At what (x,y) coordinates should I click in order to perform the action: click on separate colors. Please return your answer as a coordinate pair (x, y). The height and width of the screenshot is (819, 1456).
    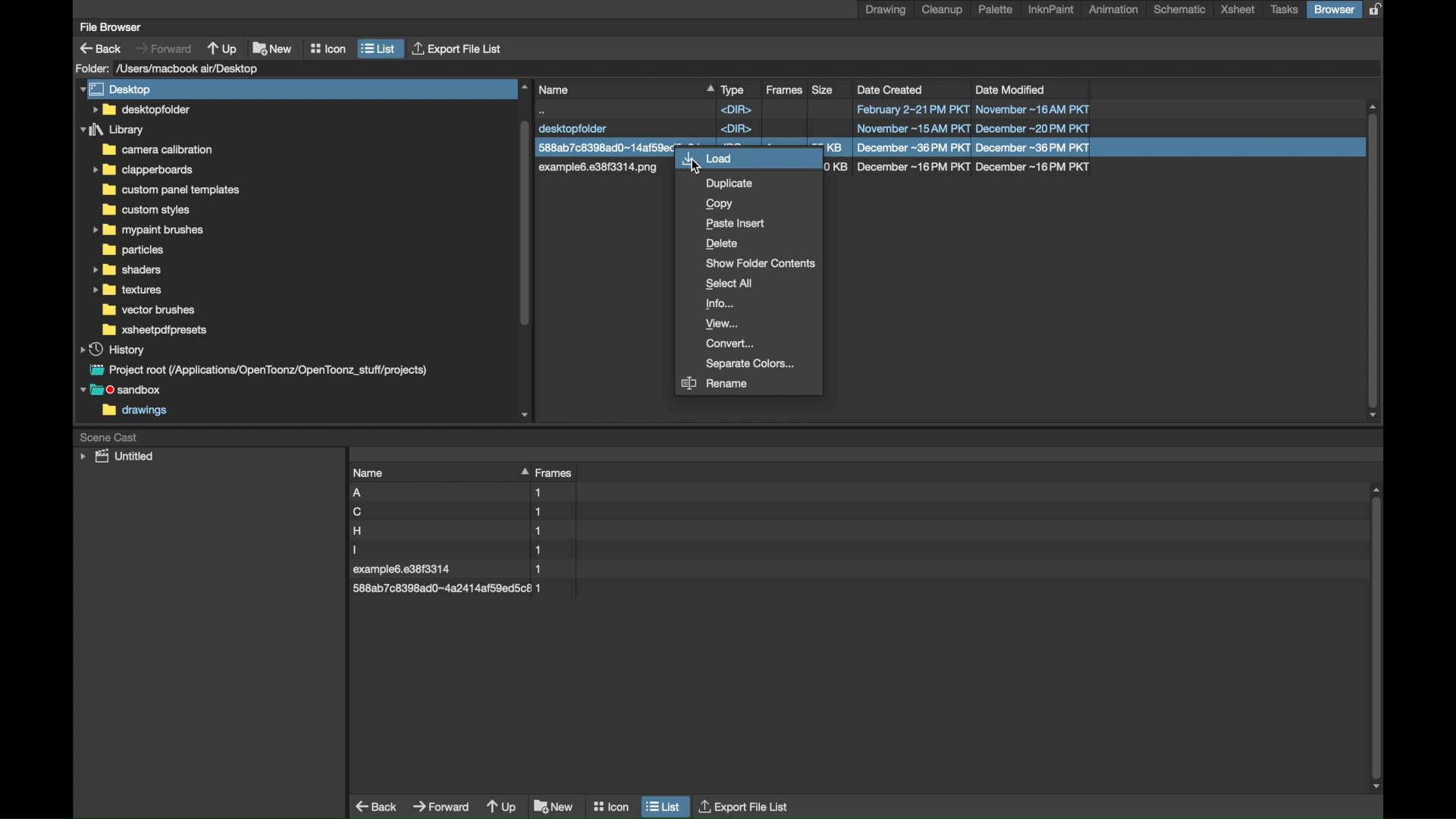
    Looking at the image, I should click on (755, 364).